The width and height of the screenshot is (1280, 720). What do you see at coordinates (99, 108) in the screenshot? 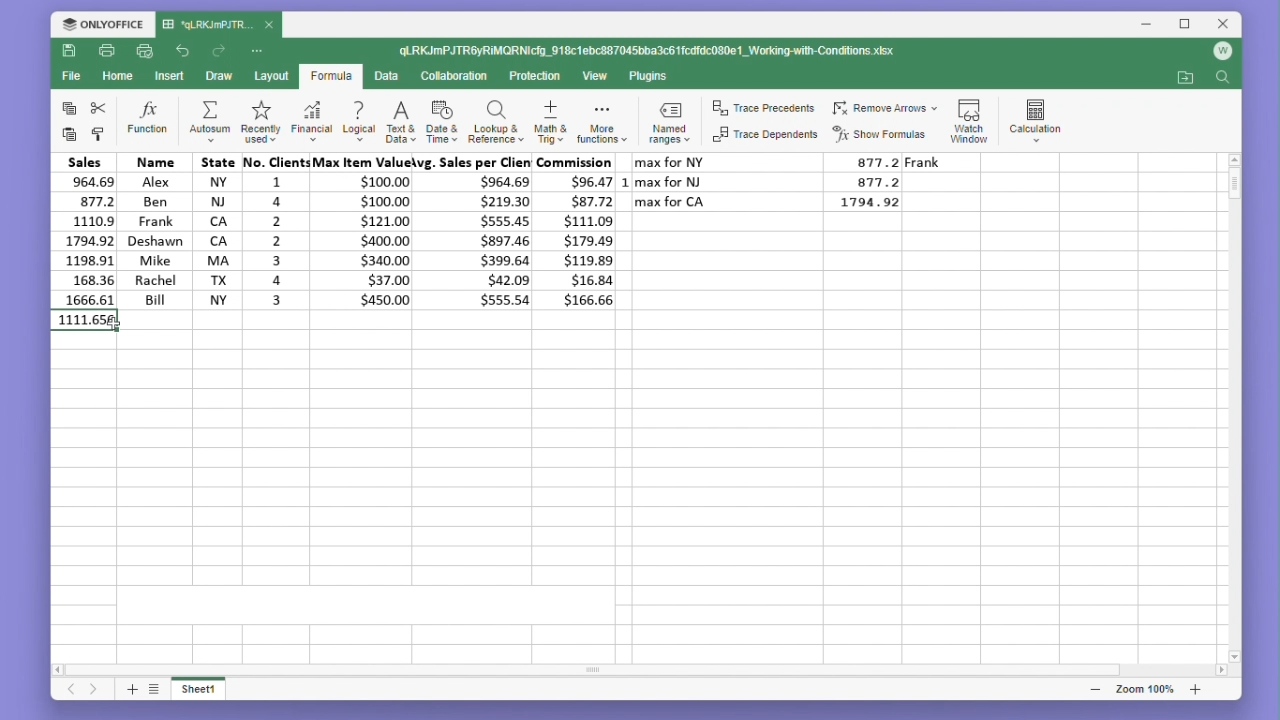
I see `cut` at bounding box center [99, 108].